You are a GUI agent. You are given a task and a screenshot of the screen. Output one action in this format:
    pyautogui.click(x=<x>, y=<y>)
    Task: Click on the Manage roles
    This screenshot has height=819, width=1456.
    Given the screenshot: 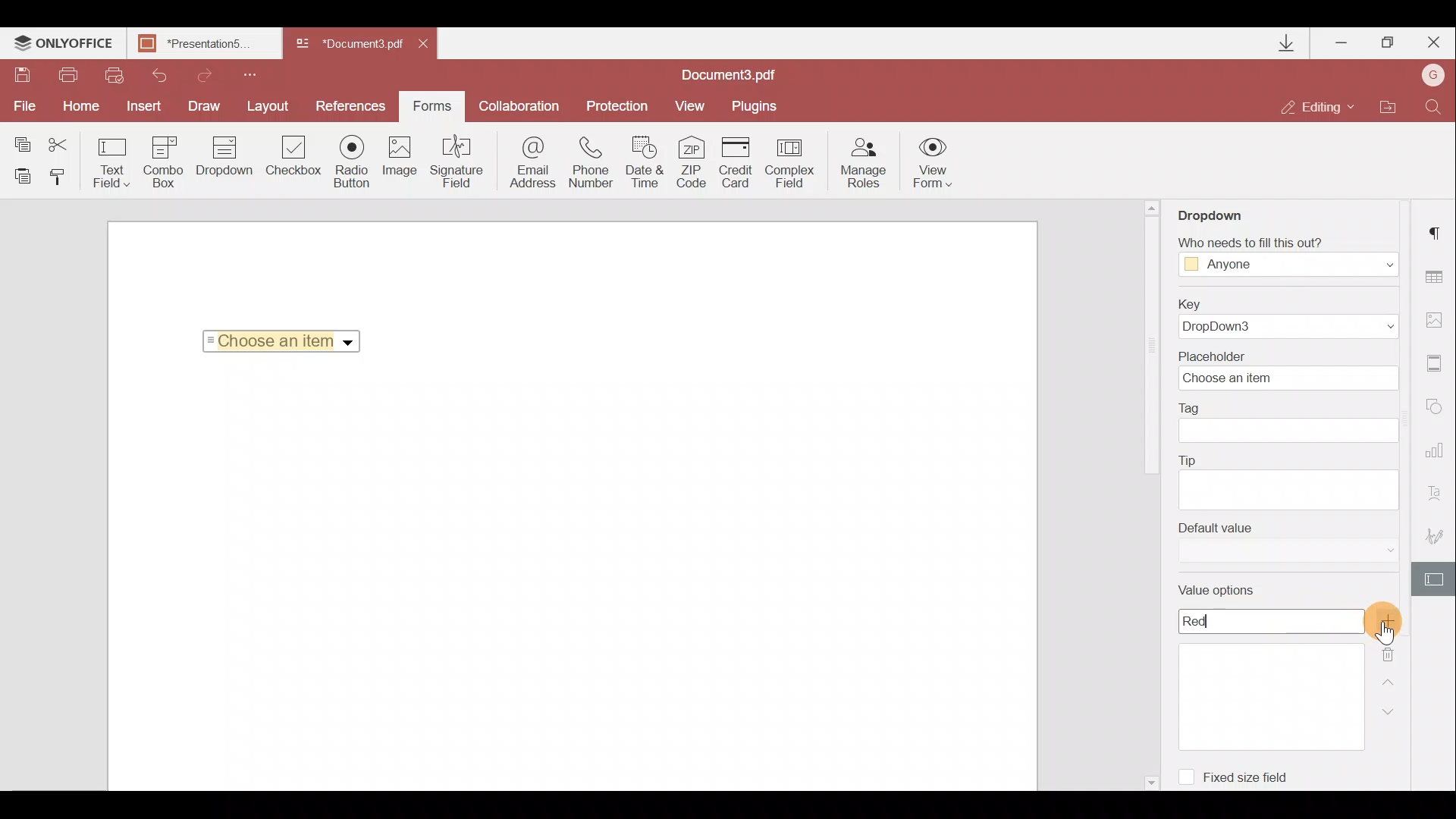 What is the action you would take?
    pyautogui.click(x=864, y=163)
    